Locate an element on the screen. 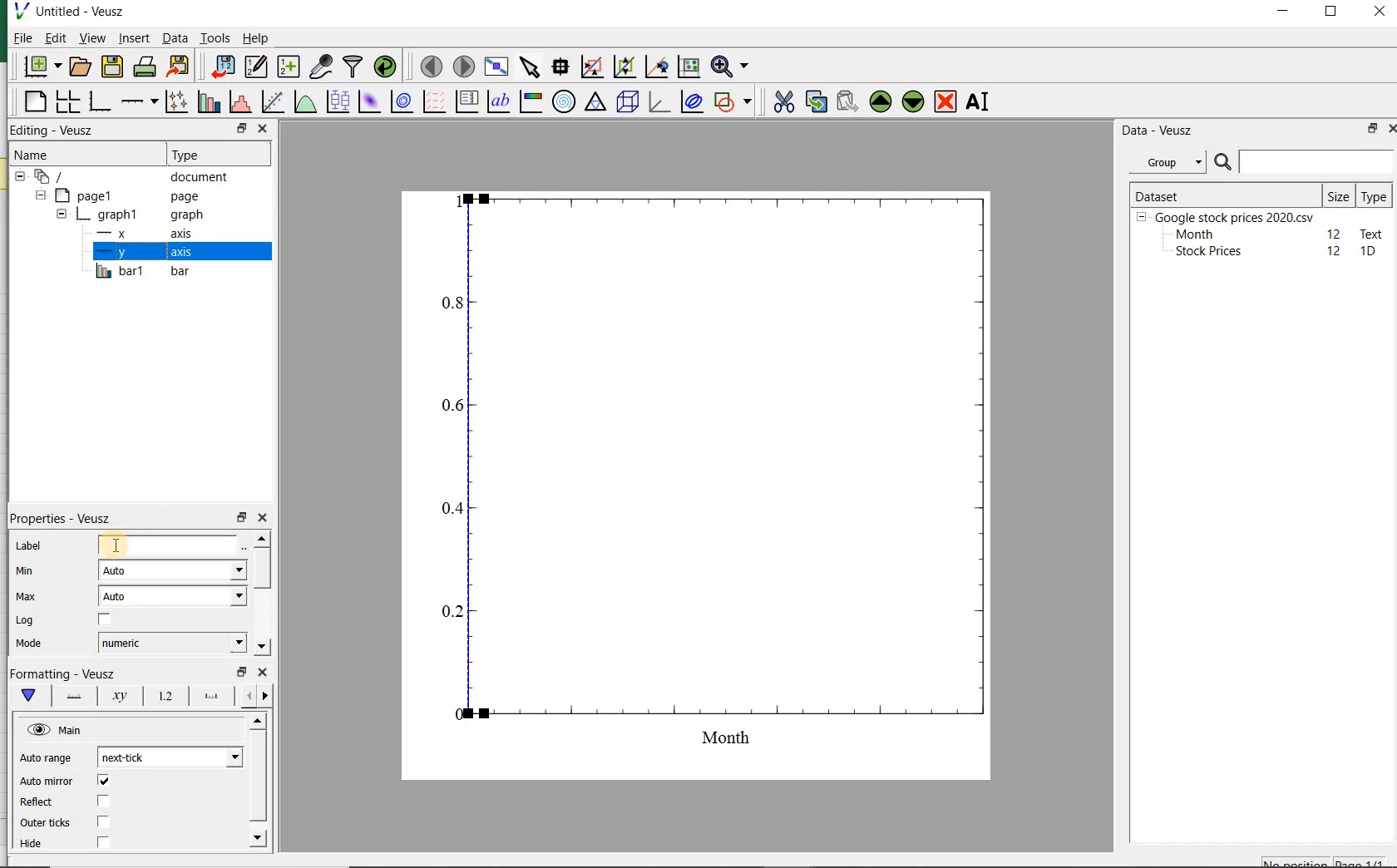  paste widget from the clipboard is located at coordinates (847, 102).